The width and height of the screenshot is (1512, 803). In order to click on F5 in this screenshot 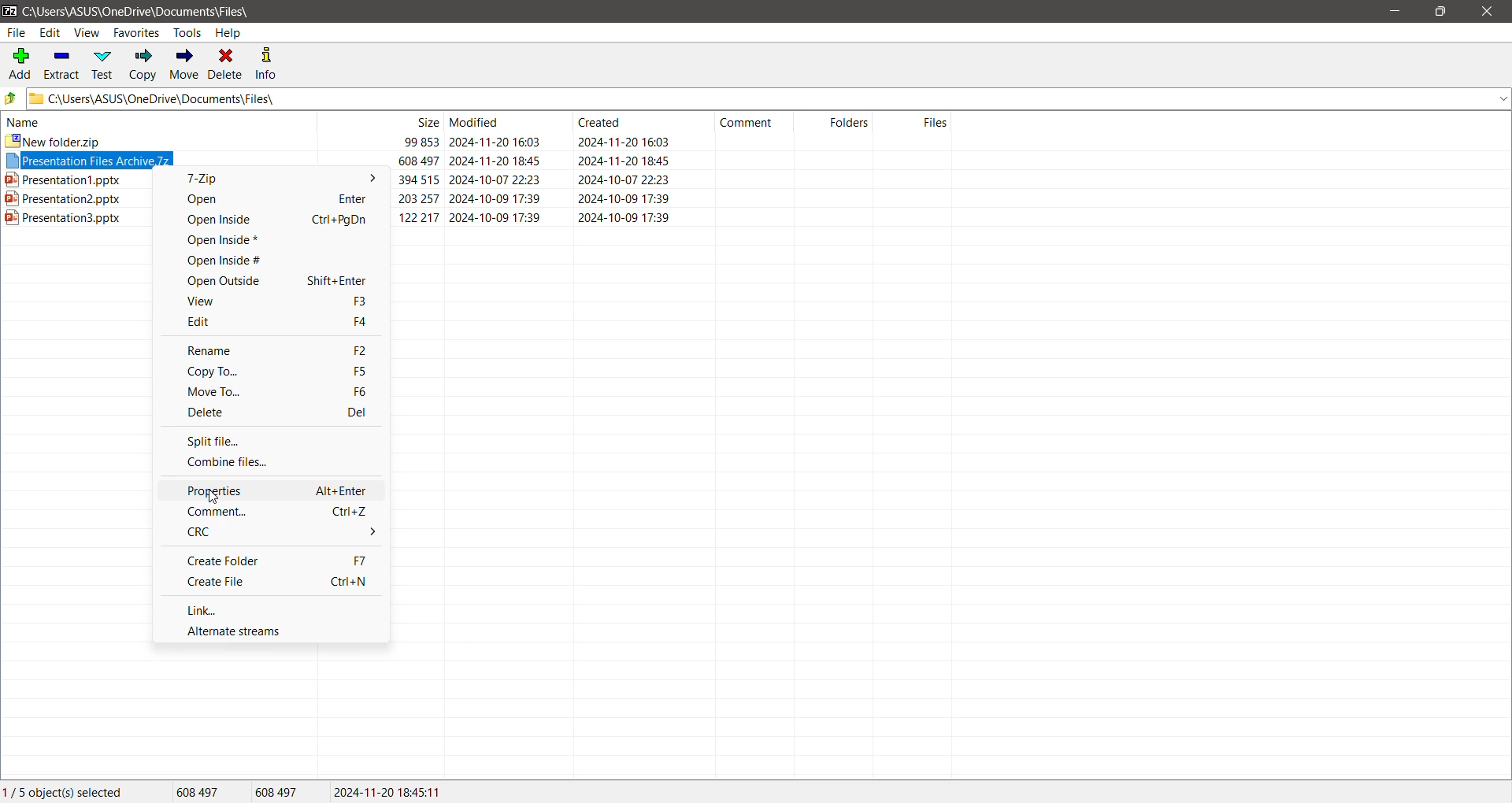, I will do `click(355, 371)`.